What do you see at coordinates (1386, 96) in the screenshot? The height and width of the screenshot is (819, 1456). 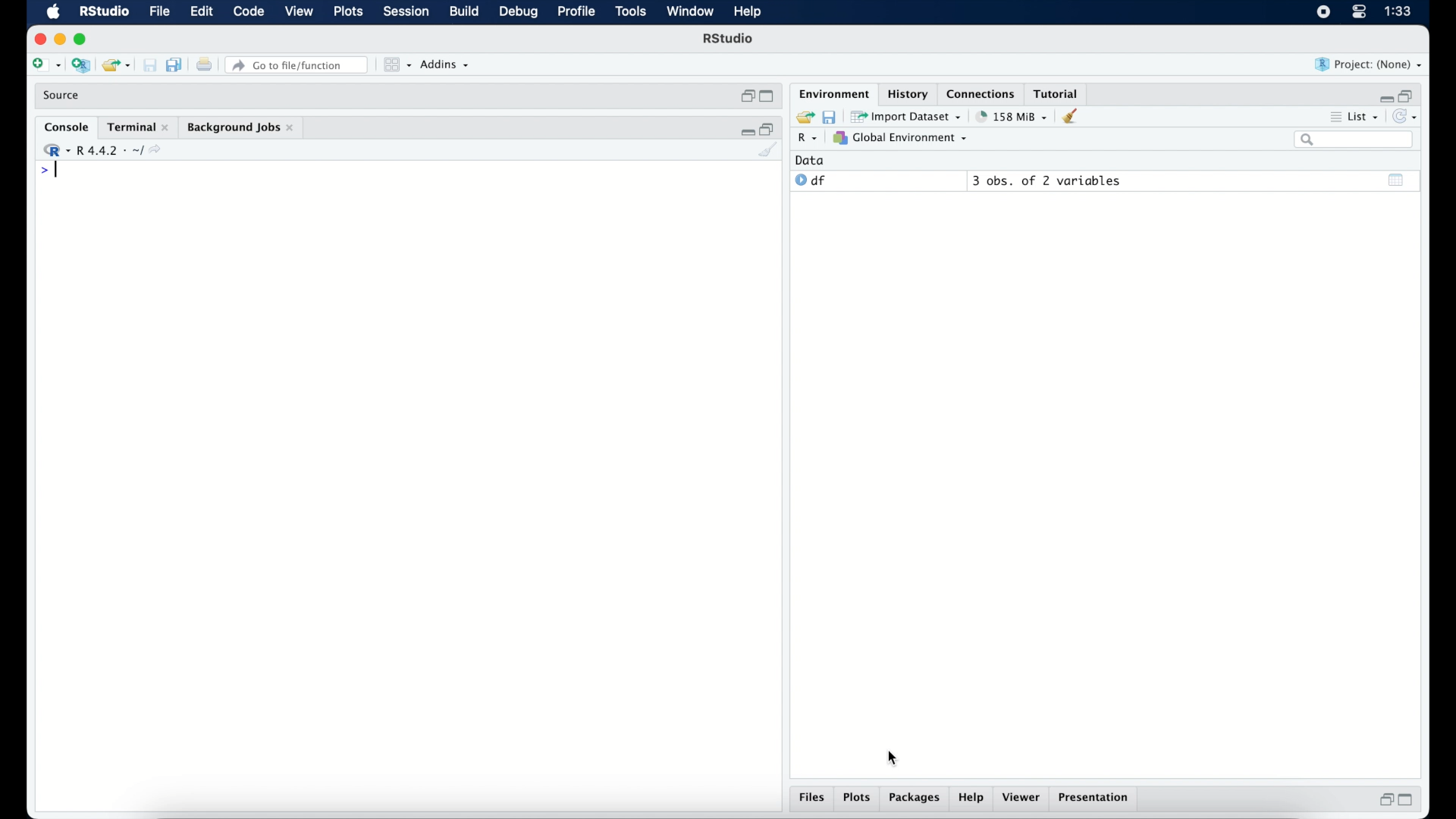 I see `minimize` at bounding box center [1386, 96].